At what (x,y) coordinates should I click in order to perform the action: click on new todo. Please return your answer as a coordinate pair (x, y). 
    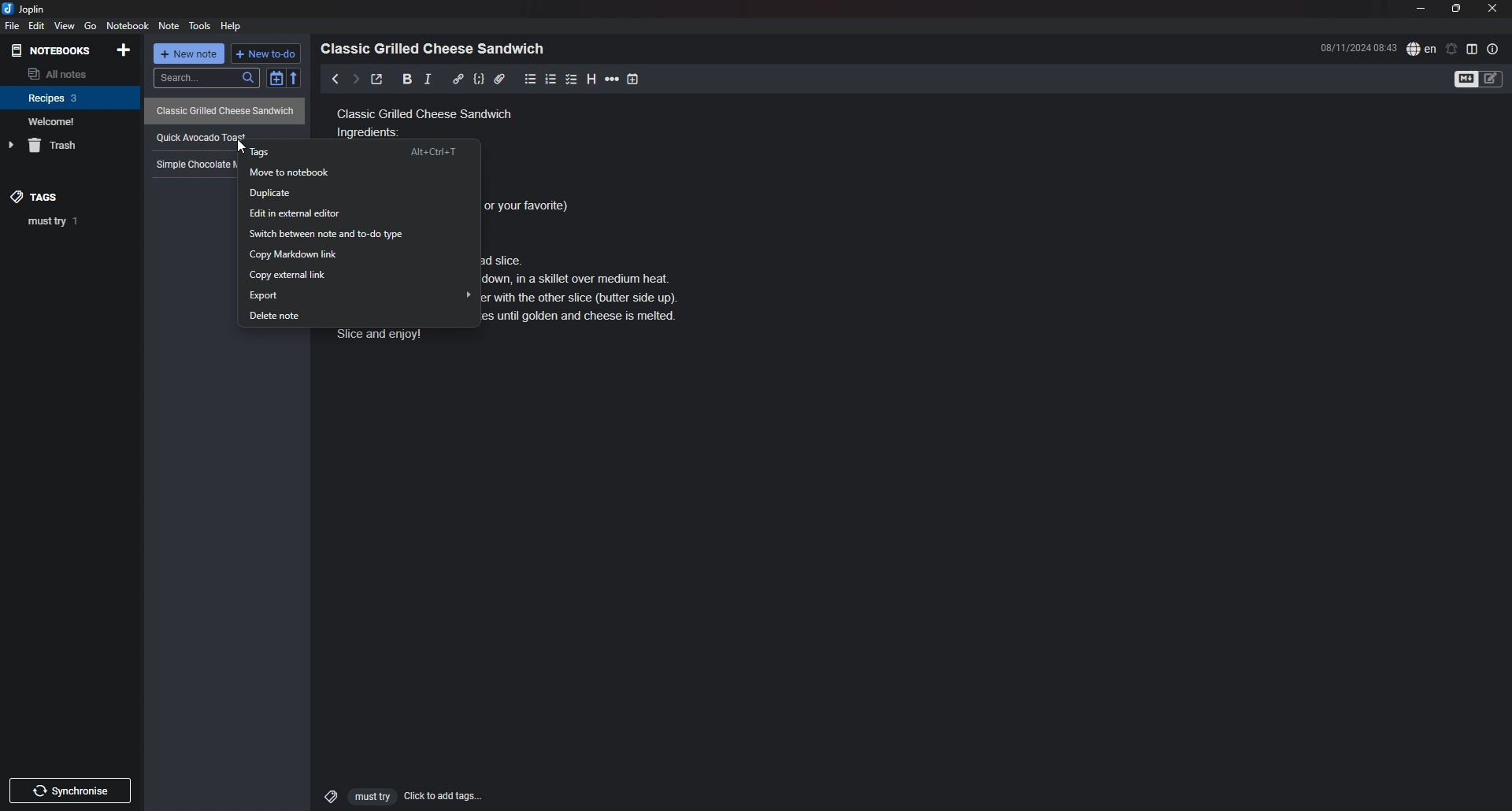
    Looking at the image, I should click on (267, 54).